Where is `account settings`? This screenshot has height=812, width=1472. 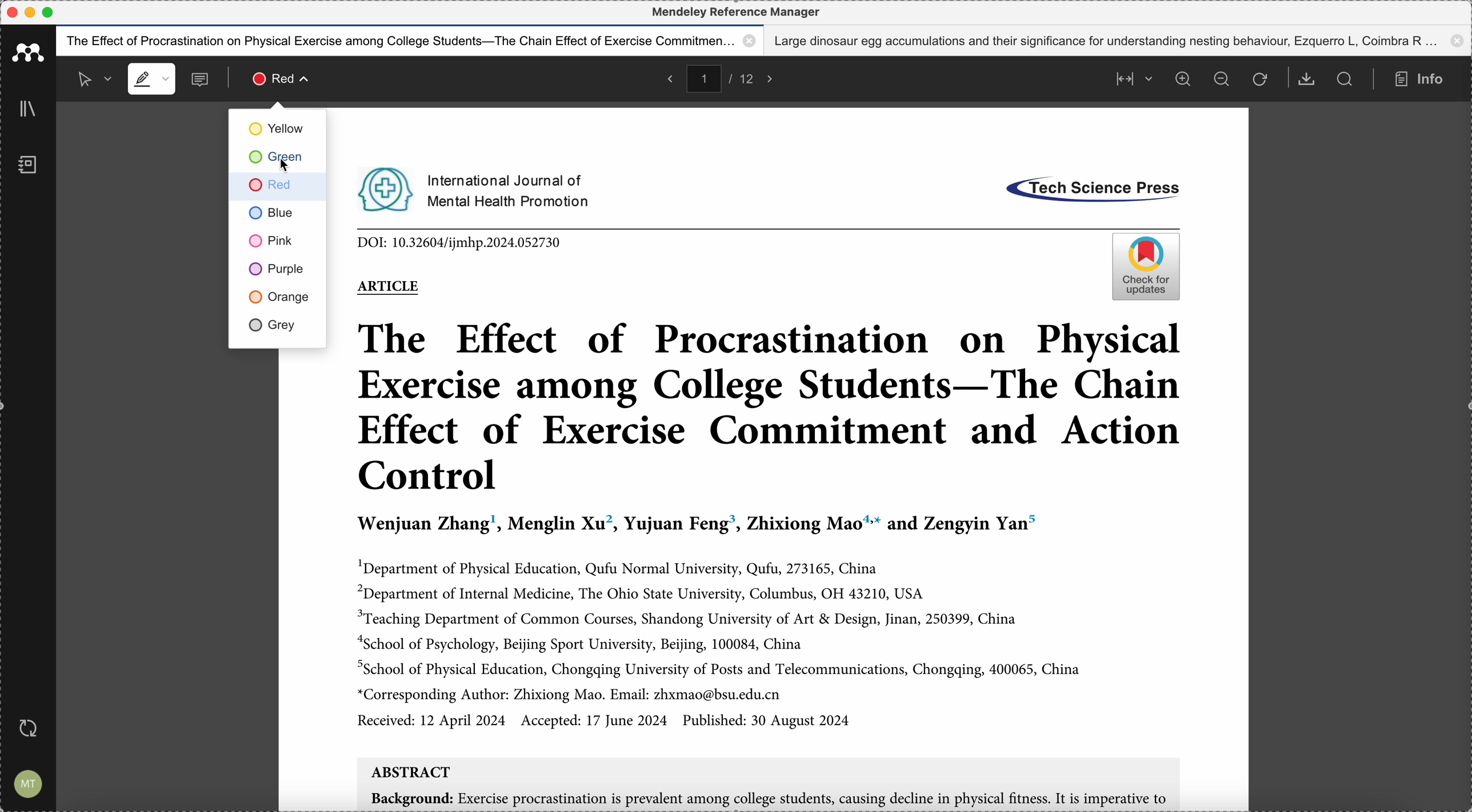 account settings is located at coordinates (29, 782).